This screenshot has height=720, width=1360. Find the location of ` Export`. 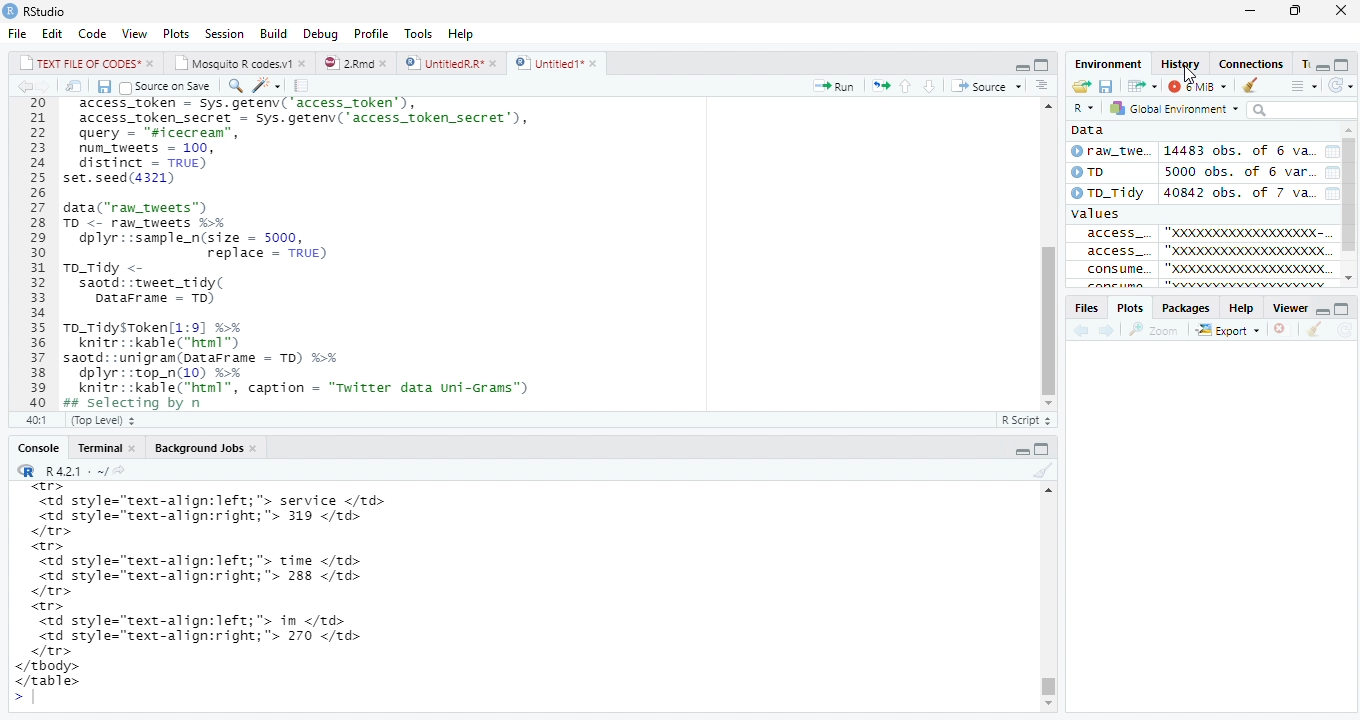

 Export is located at coordinates (1231, 331).